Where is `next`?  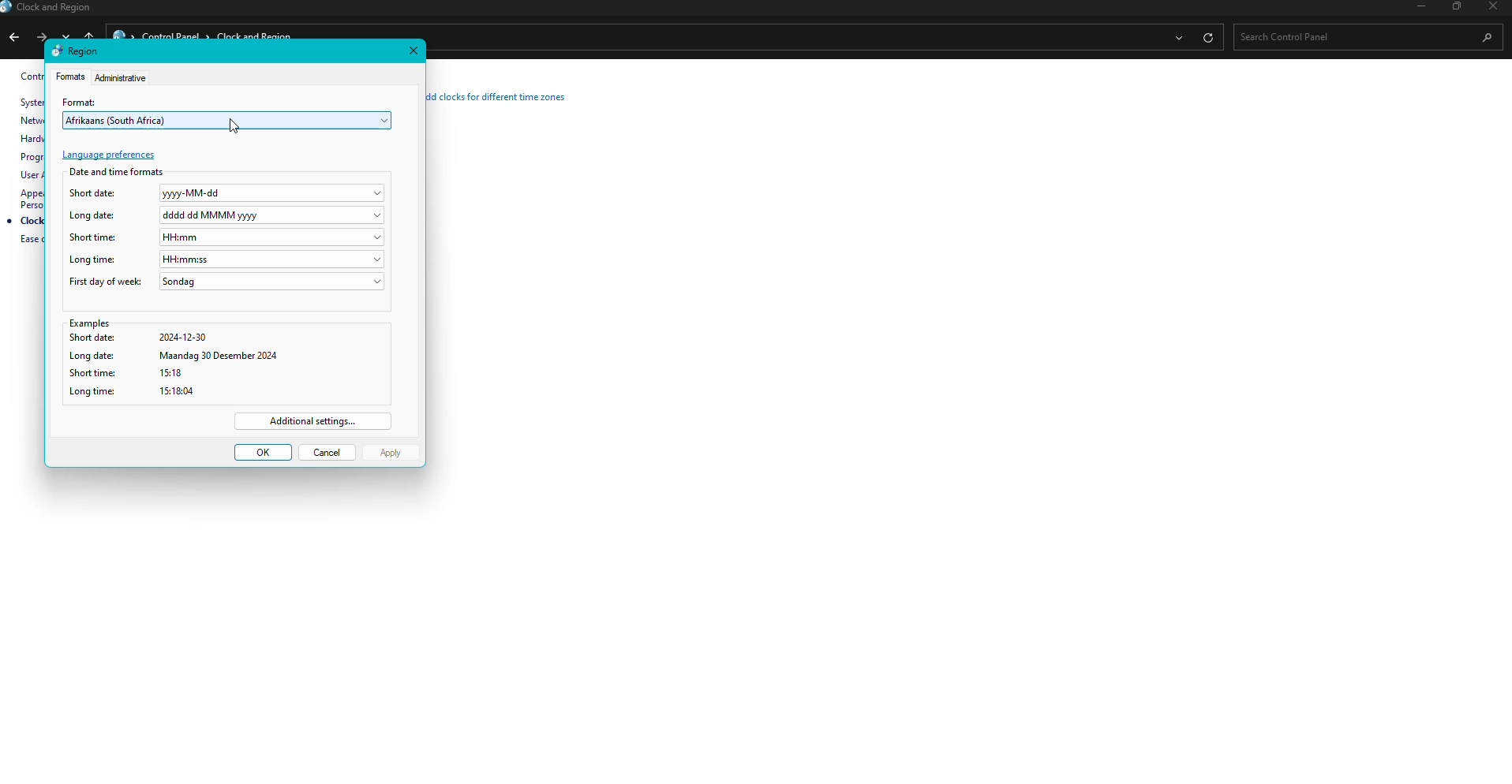 next is located at coordinates (40, 35).